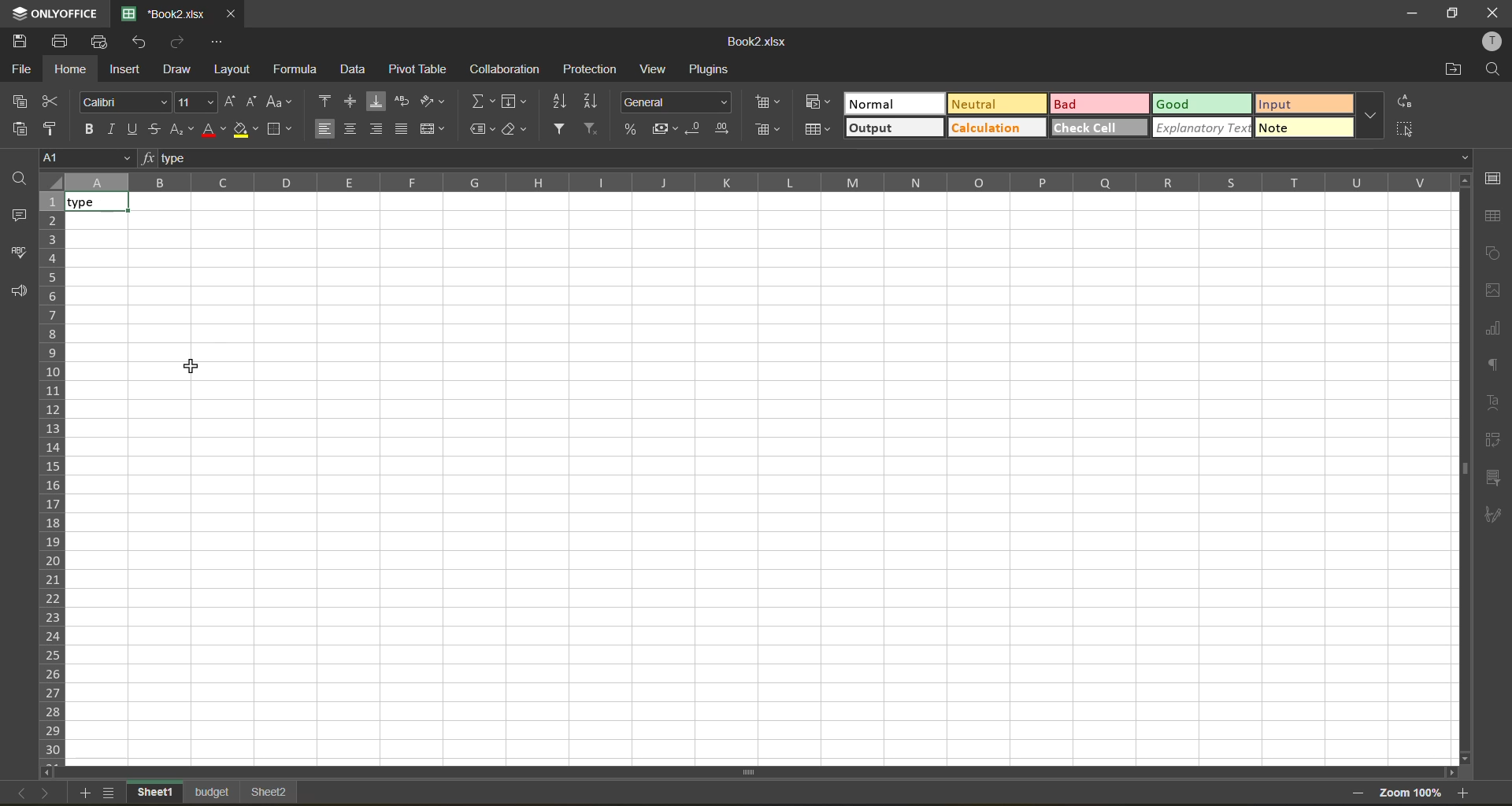  I want to click on number format, so click(678, 102).